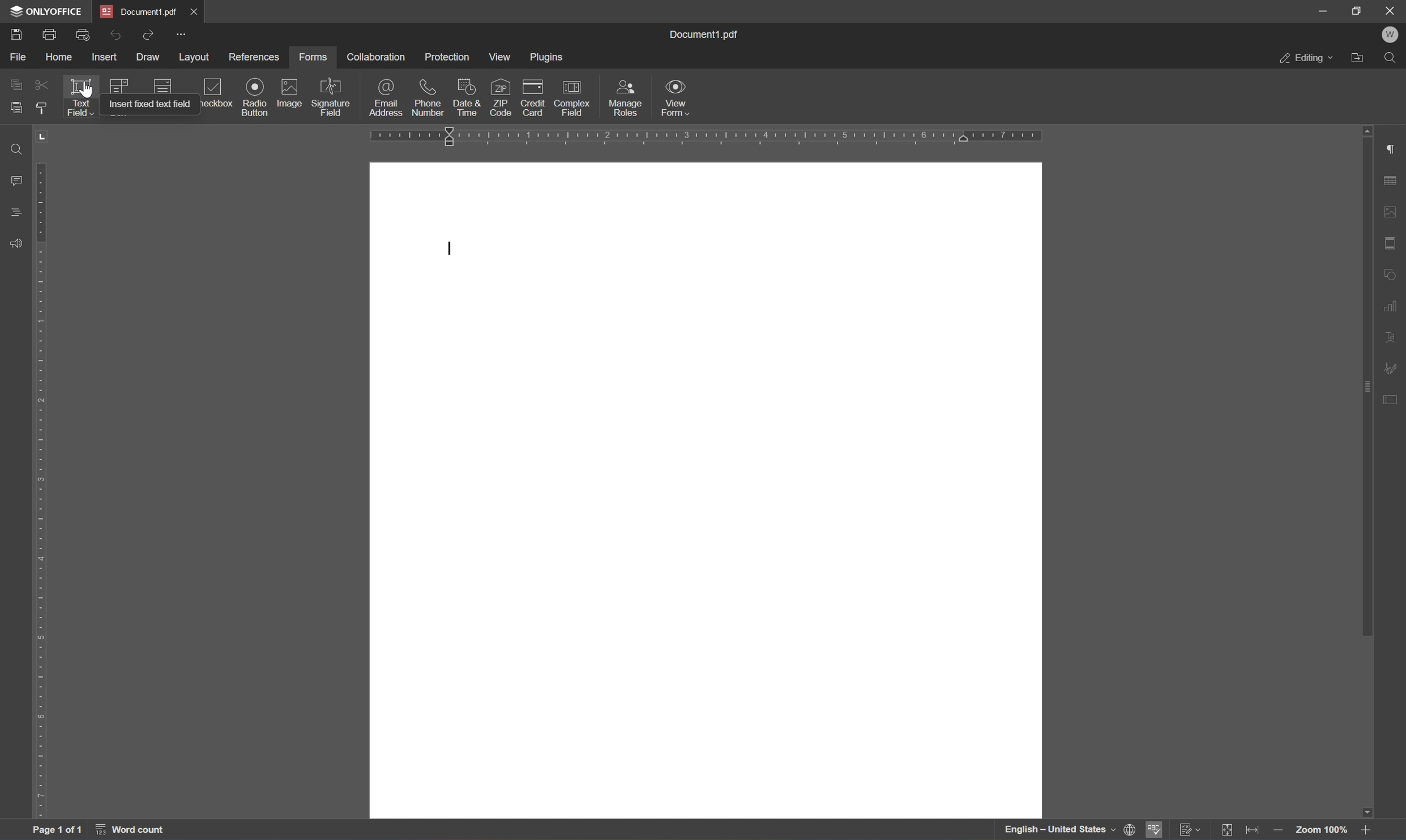 This screenshot has width=1406, height=840. I want to click on find, so click(1390, 59).